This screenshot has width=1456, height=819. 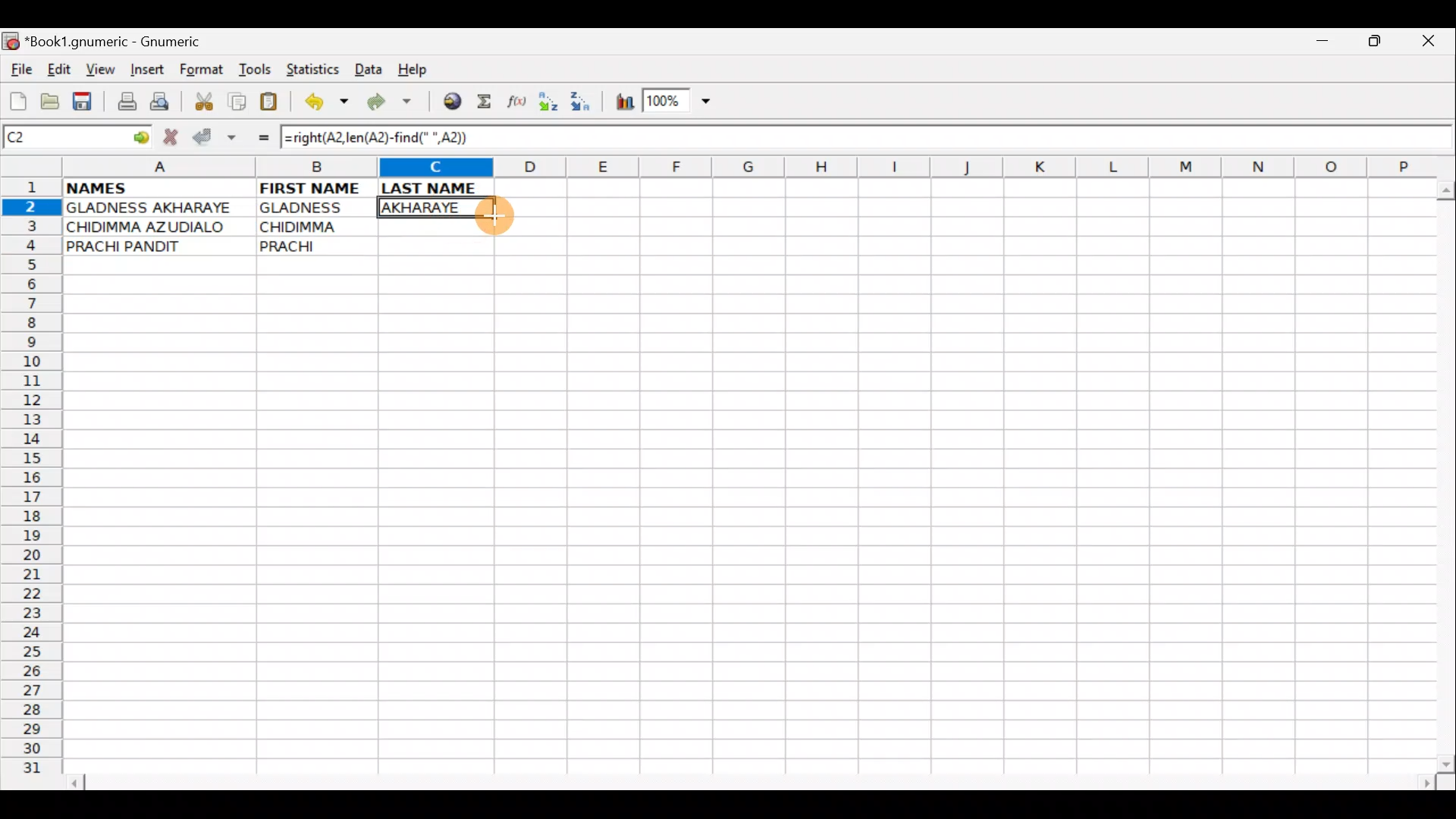 What do you see at coordinates (205, 71) in the screenshot?
I see `Format` at bounding box center [205, 71].